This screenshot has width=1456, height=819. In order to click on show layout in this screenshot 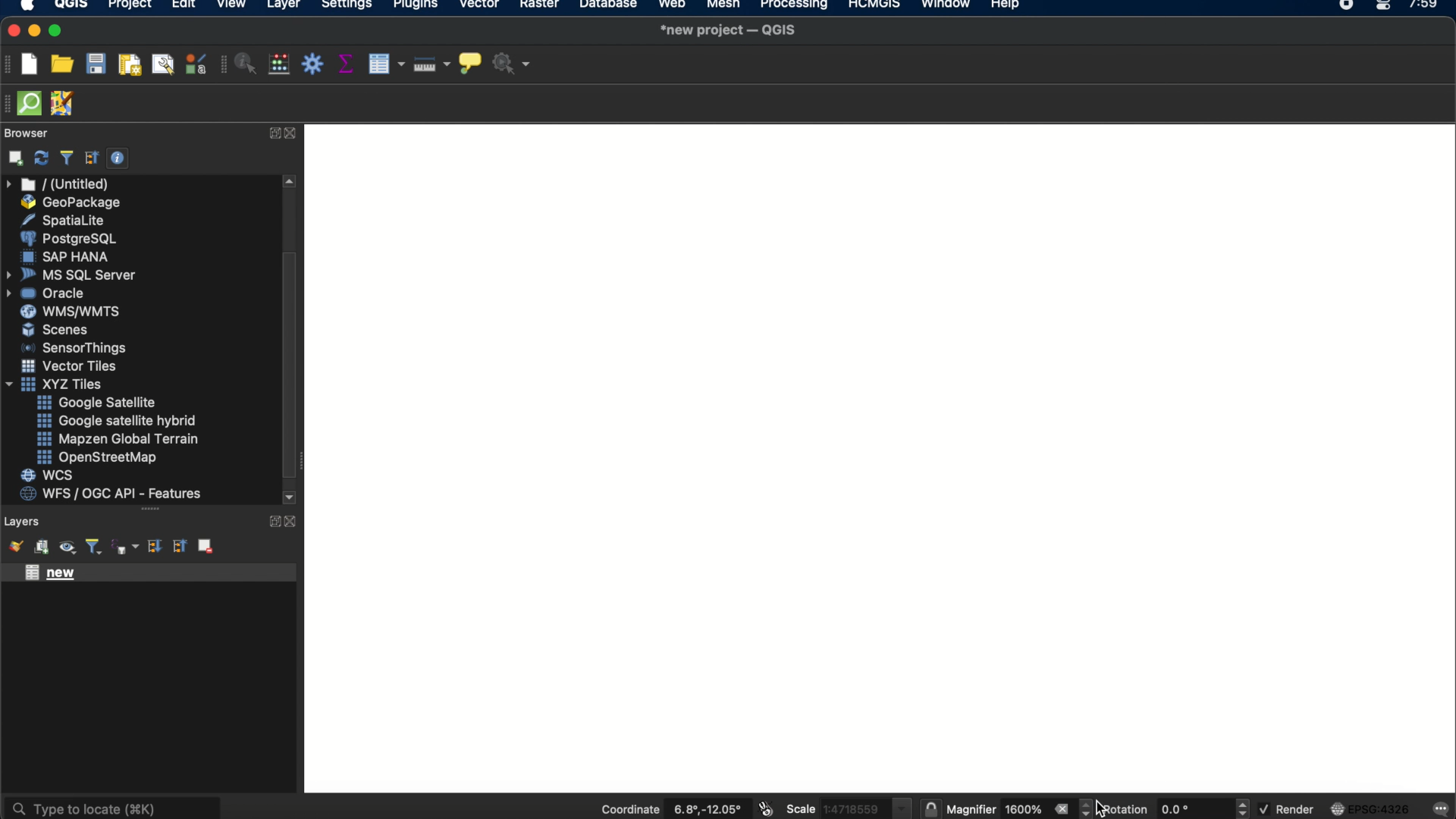, I will do `click(163, 64)`.